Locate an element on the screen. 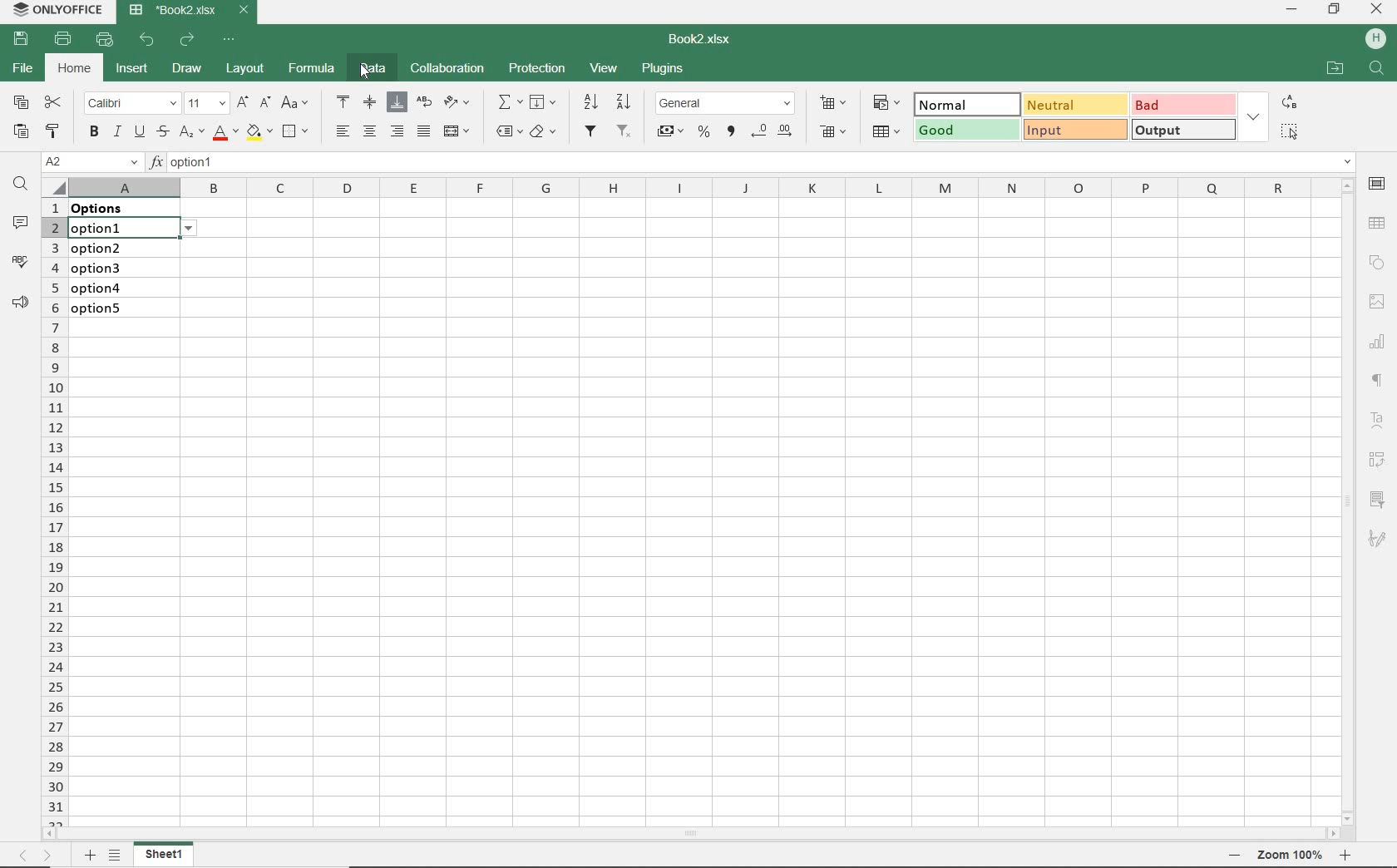  PARAGRAPH SETTINGS is located at coordinates (17, 303).